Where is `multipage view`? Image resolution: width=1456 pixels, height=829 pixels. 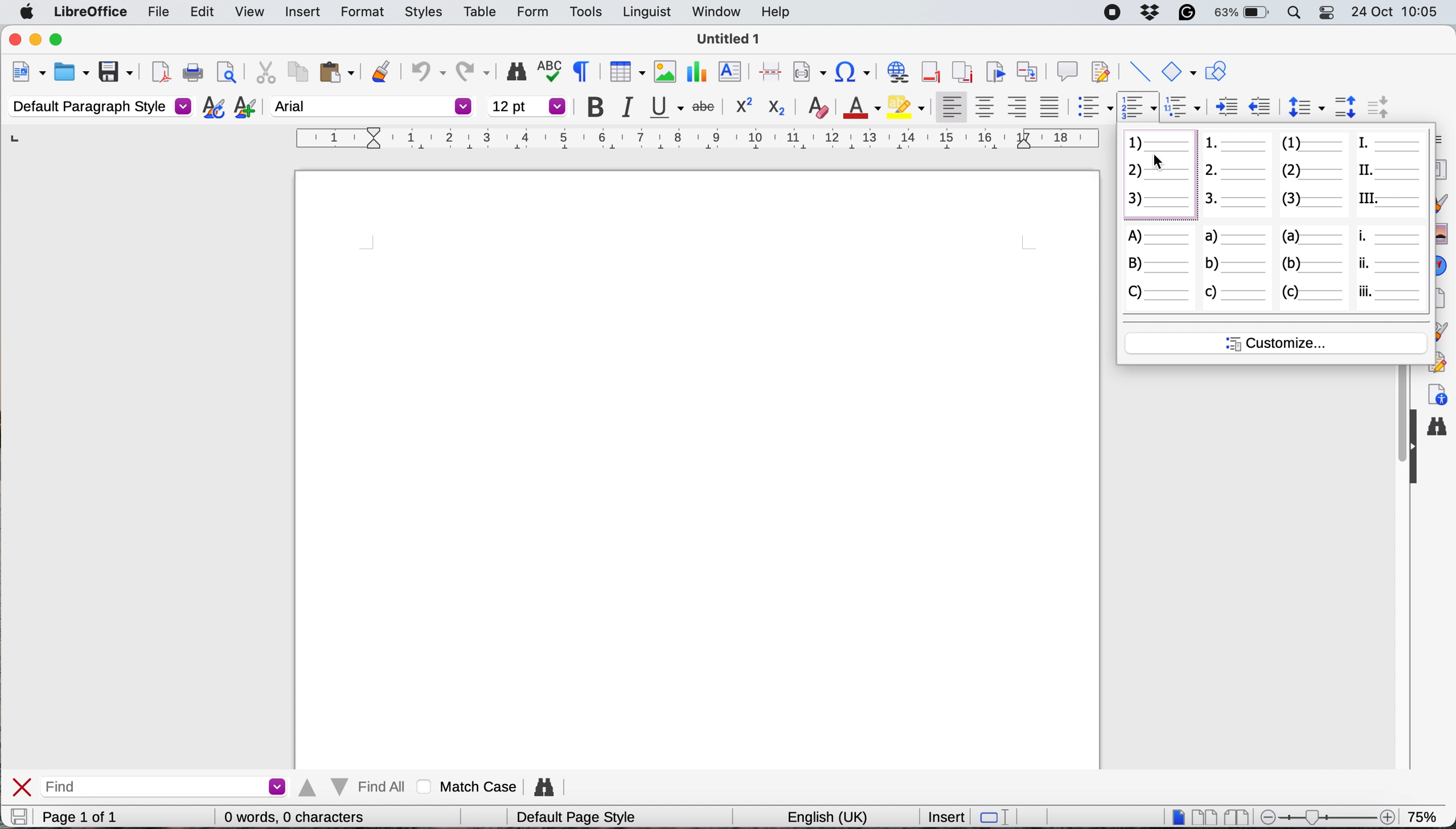 multipage view is located at coordinates (1206, 817).